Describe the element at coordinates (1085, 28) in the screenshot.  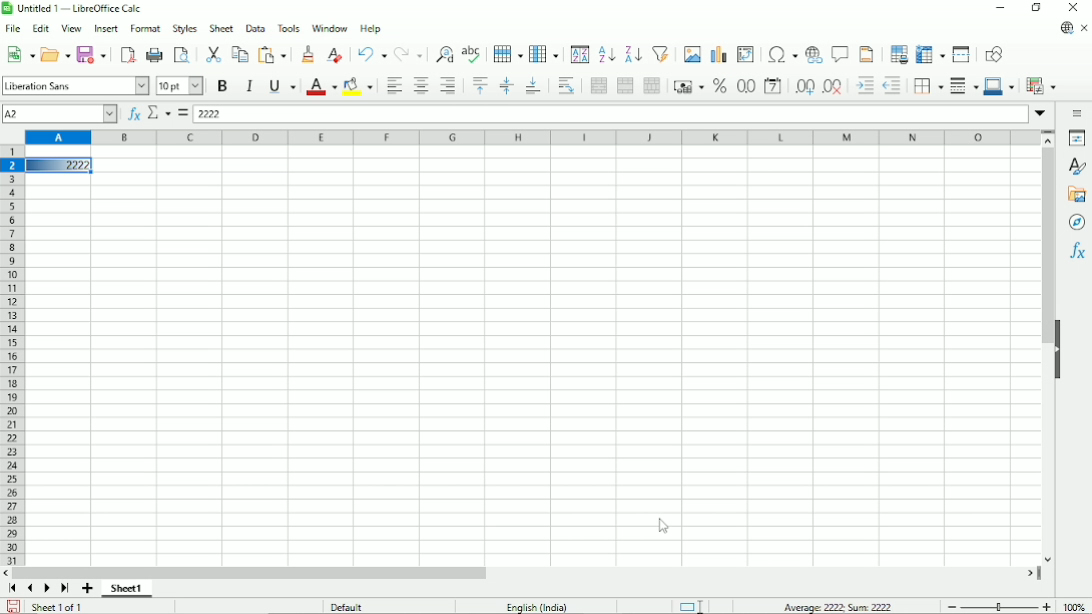
I see `Close document` at that location.